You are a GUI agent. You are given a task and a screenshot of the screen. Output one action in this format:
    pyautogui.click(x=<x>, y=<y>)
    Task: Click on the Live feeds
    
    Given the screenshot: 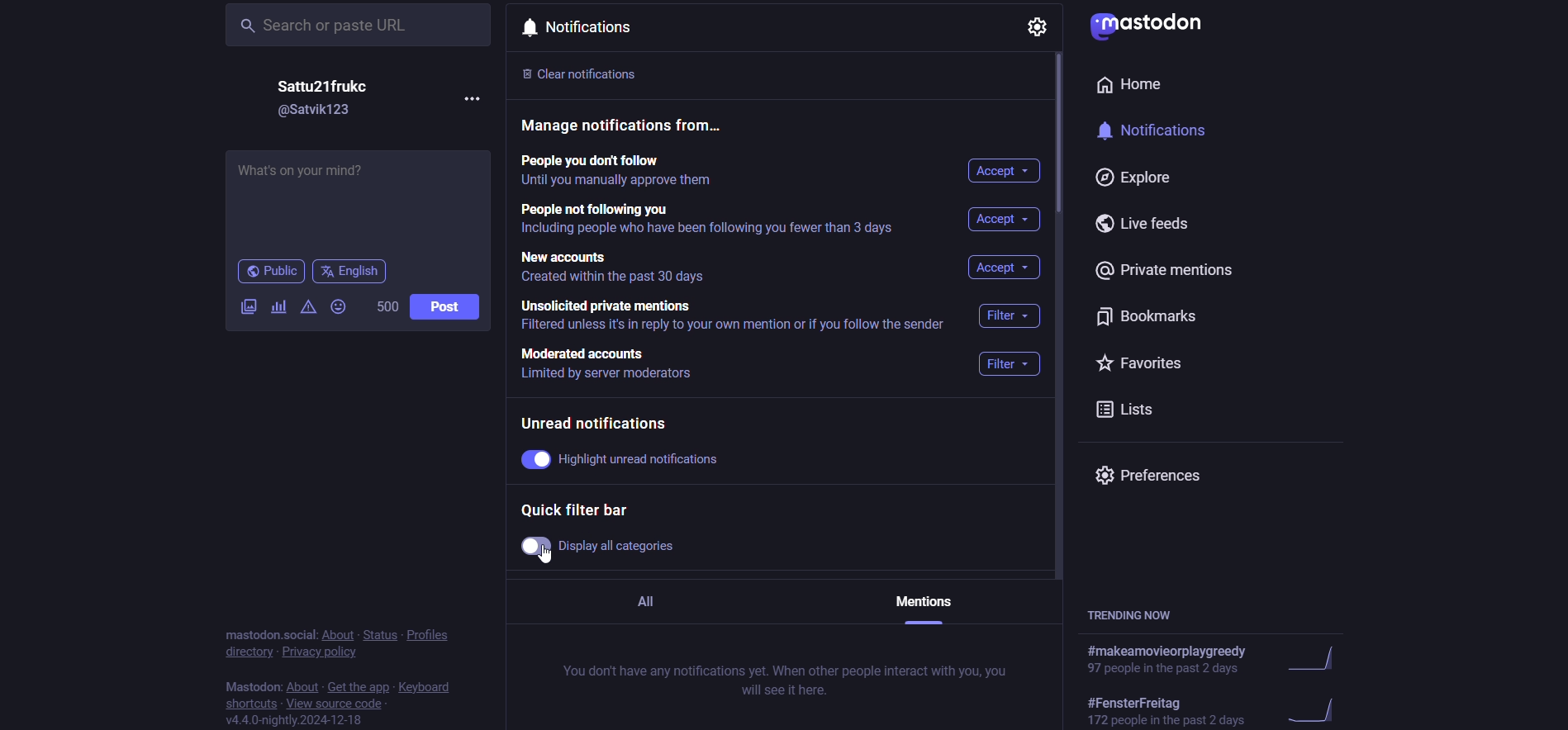 What is the action you would take?
    pyautogui.click(x=1143, y=223)
    